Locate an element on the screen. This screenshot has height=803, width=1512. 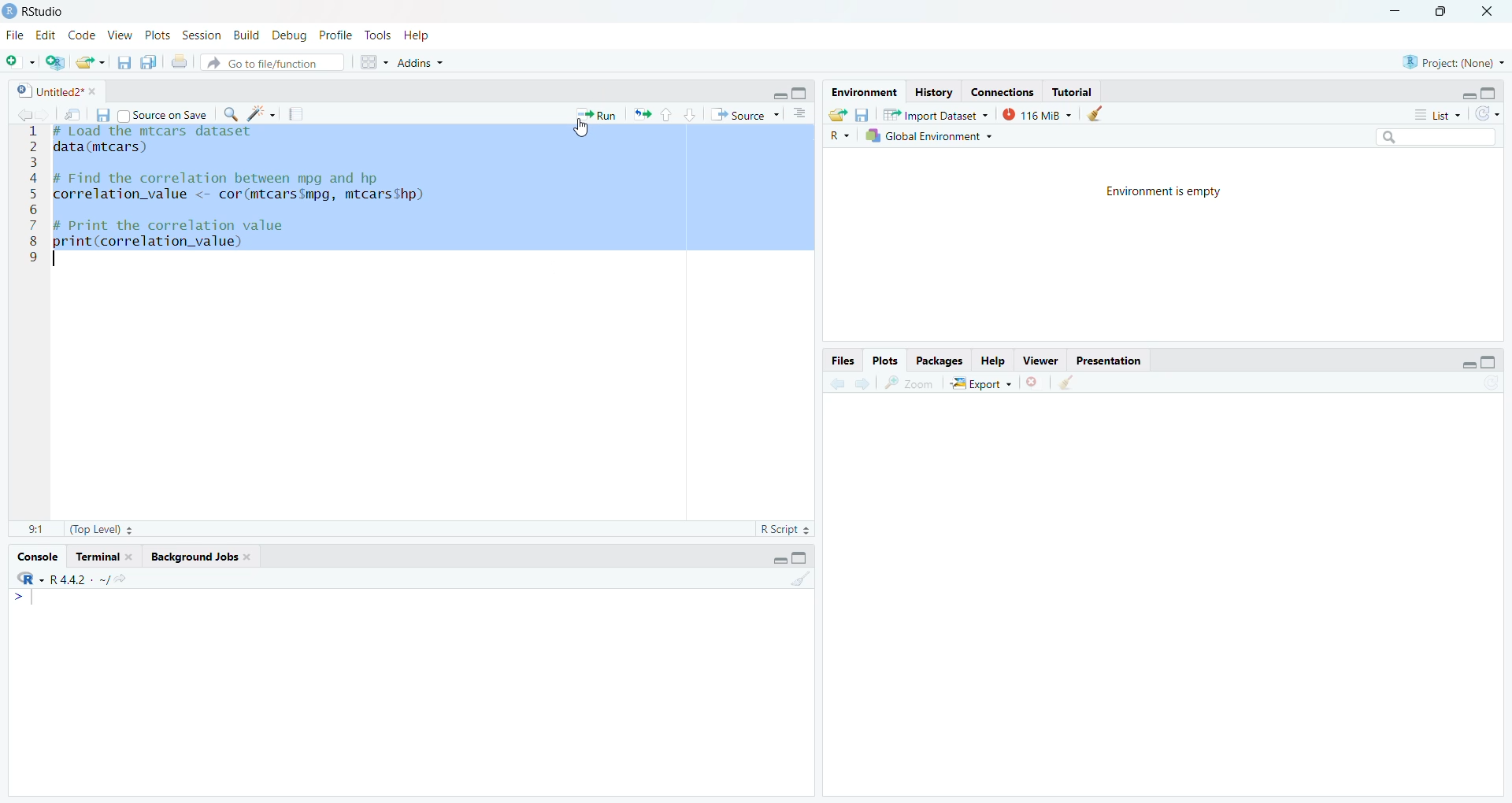
Import Database is located at coordinates (936, 116).